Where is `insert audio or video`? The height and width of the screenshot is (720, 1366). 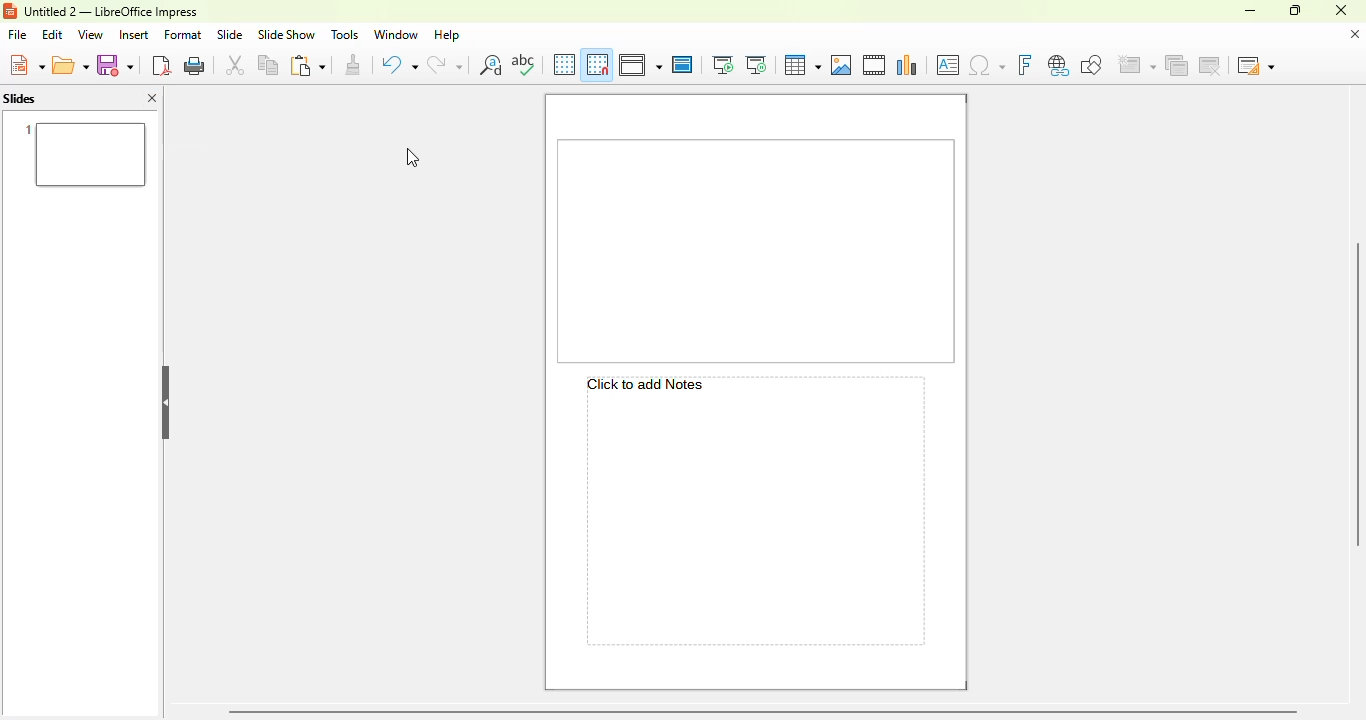 insert audio or video is located at coordinates (875, 64).